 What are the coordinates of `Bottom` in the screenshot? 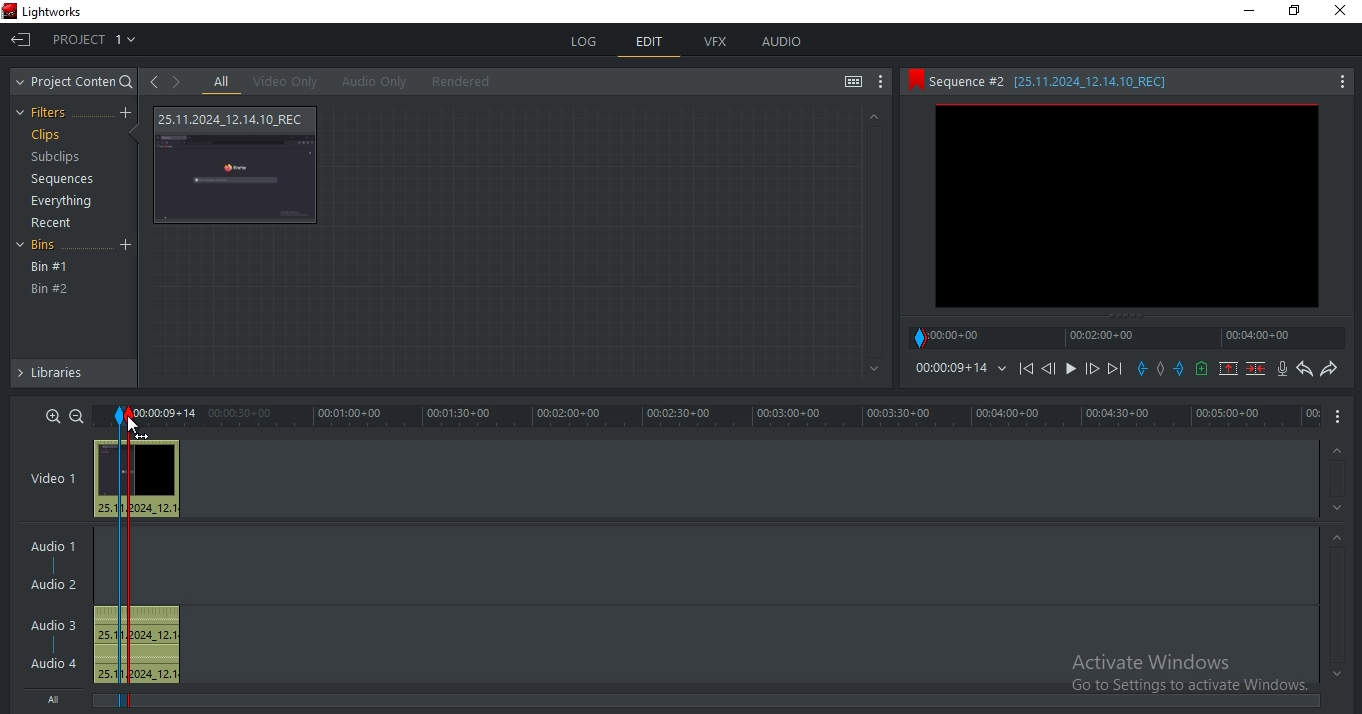 It's located at (871, 369).